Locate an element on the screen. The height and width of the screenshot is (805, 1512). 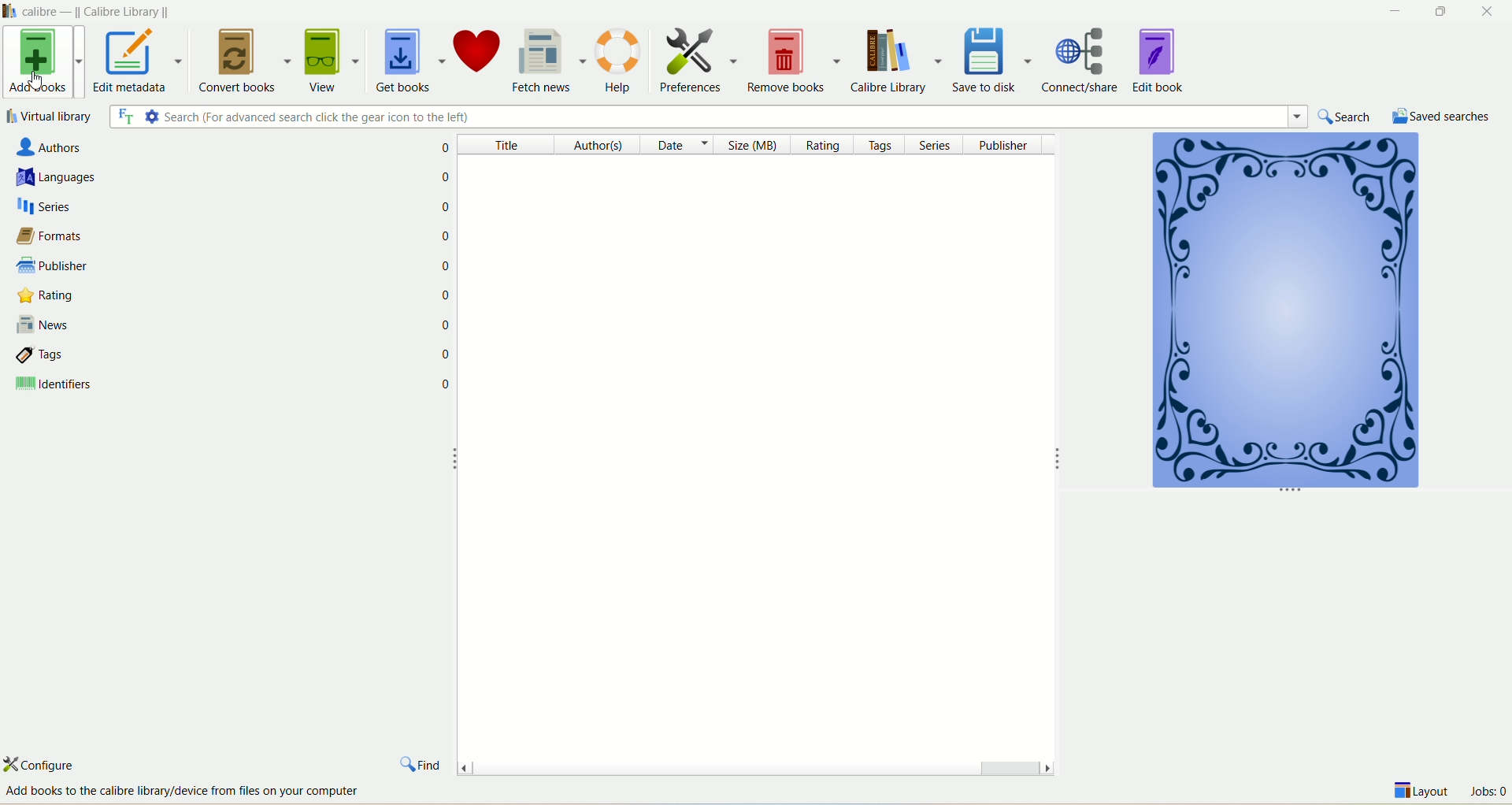
title is located at coordinates (504, 146).